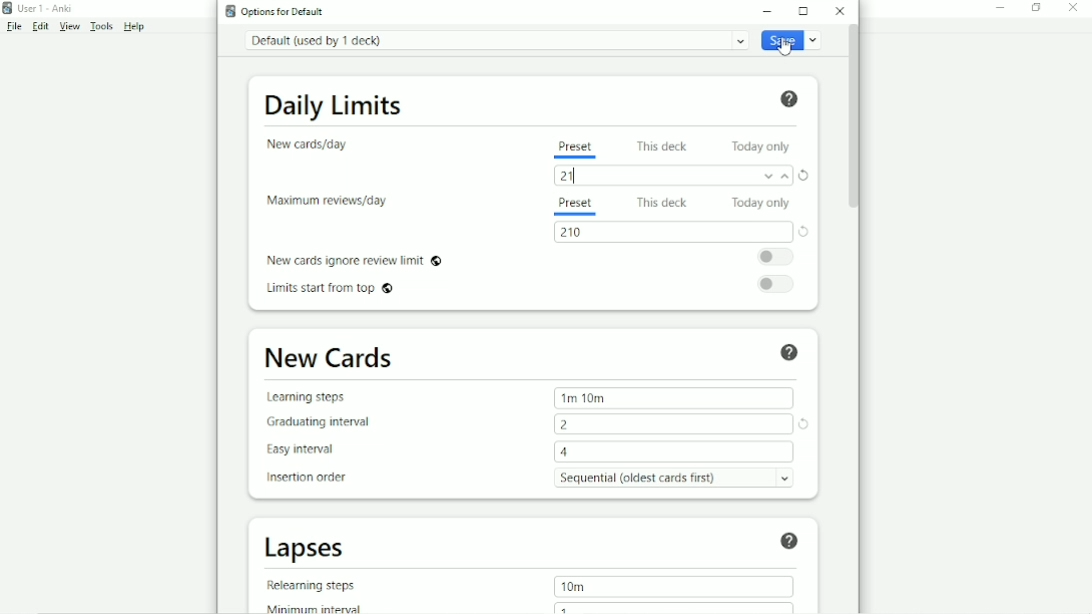  Describe the element at coordinates (664, 204) in the screenshot. I see `This deck` at that location.